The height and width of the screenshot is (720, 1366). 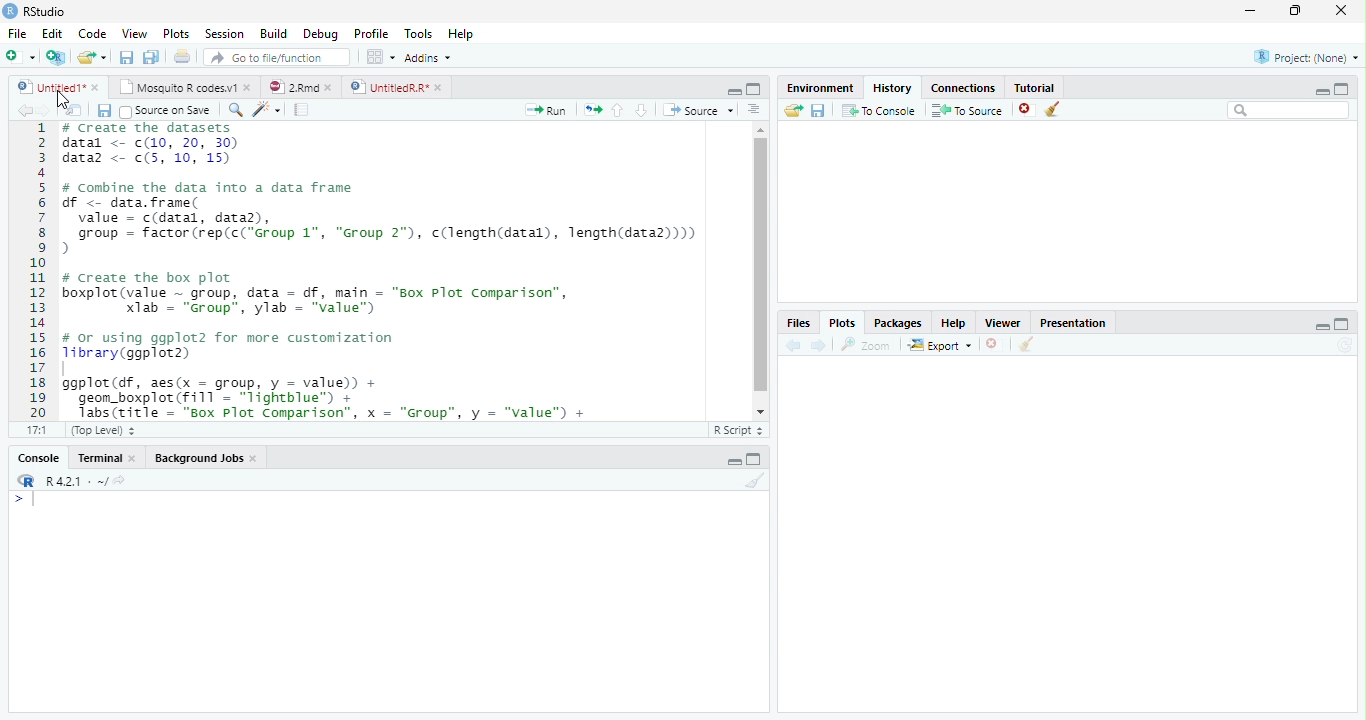 I want to click on Source, so click(x=699, y=110).